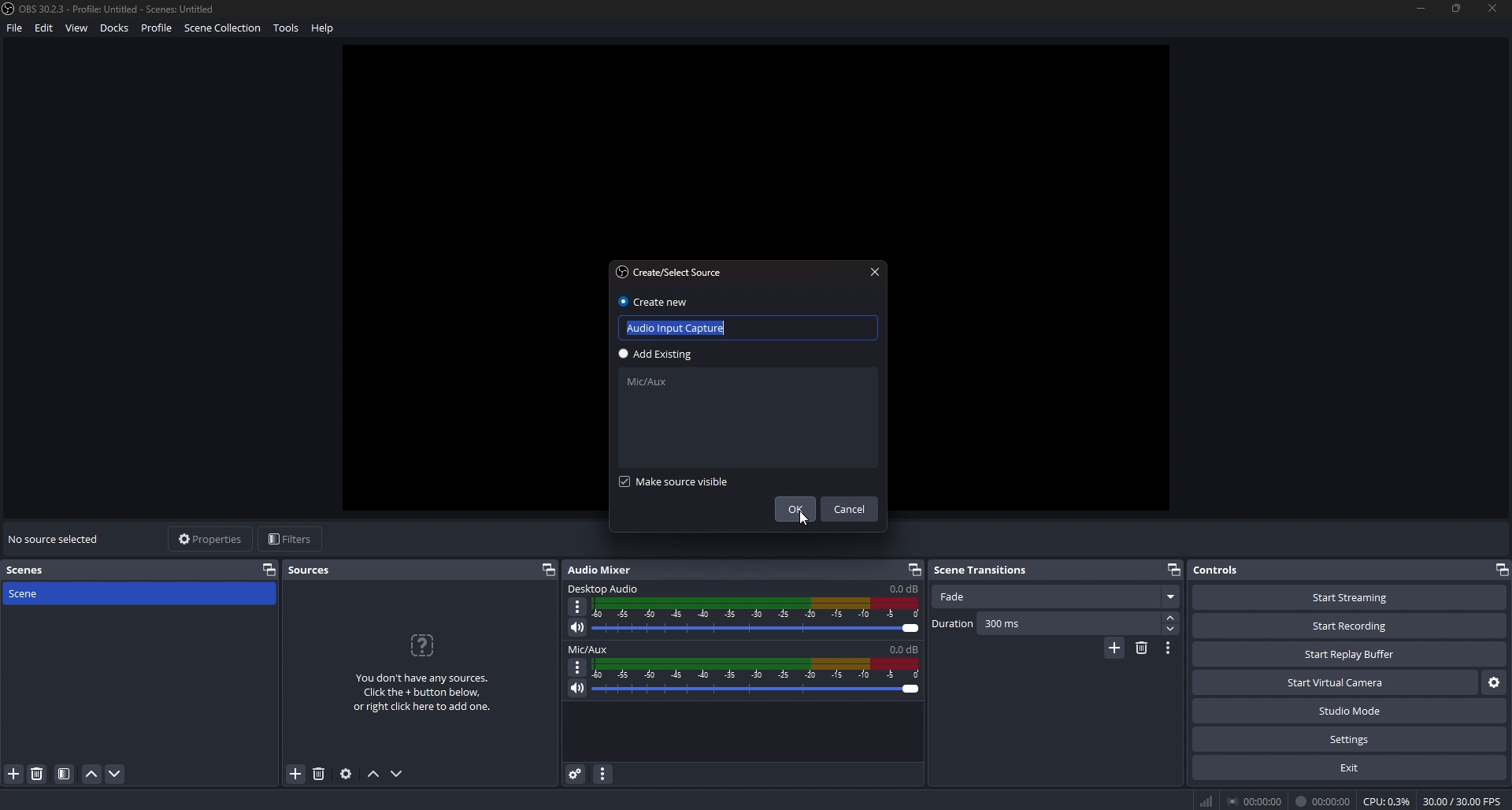  Describe the element at coordinates (91, 775) in the screenshot. I see `move scene up` at that location.